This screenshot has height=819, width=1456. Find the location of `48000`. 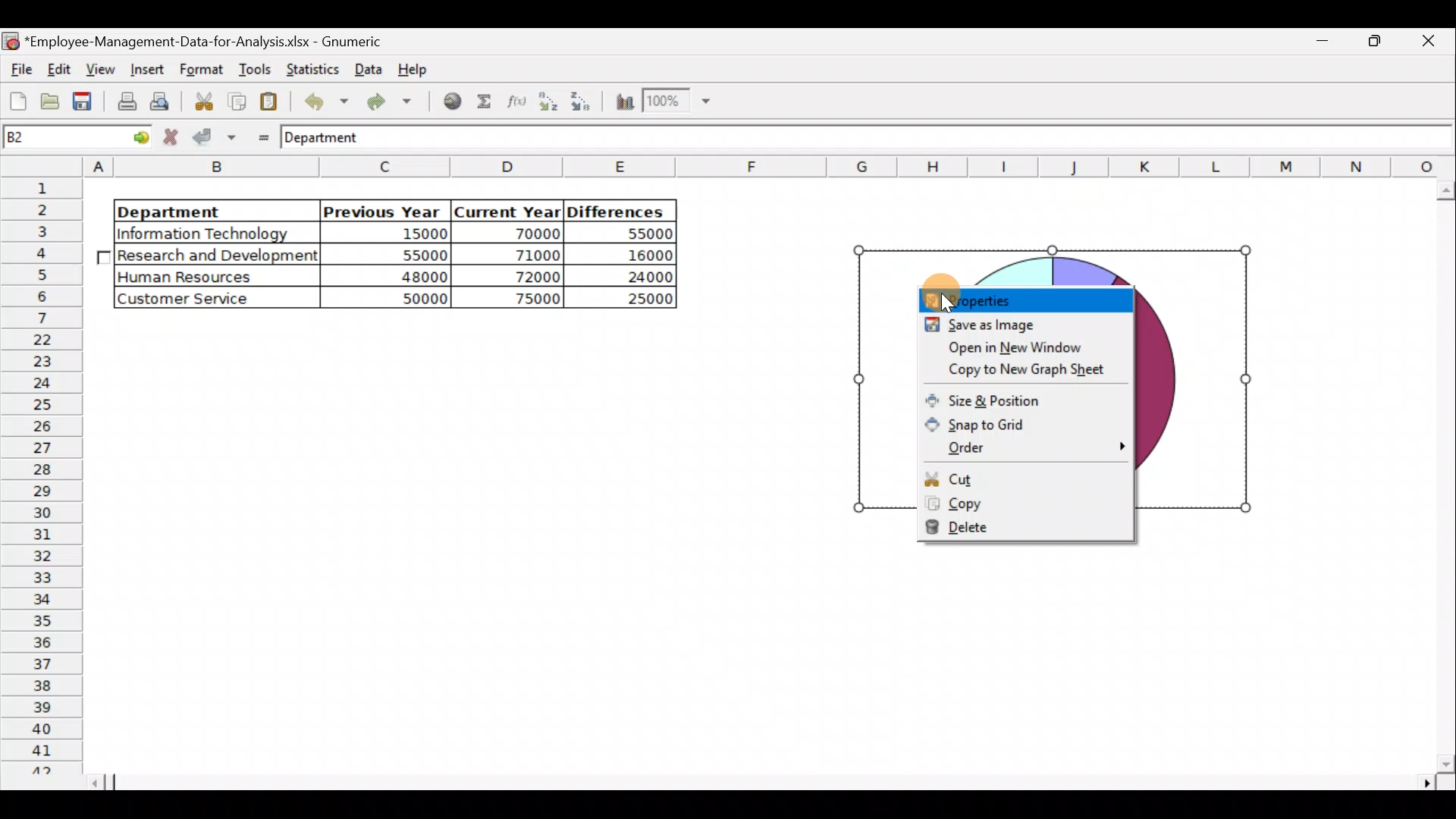

48000 is located at coordinates (399, 278).